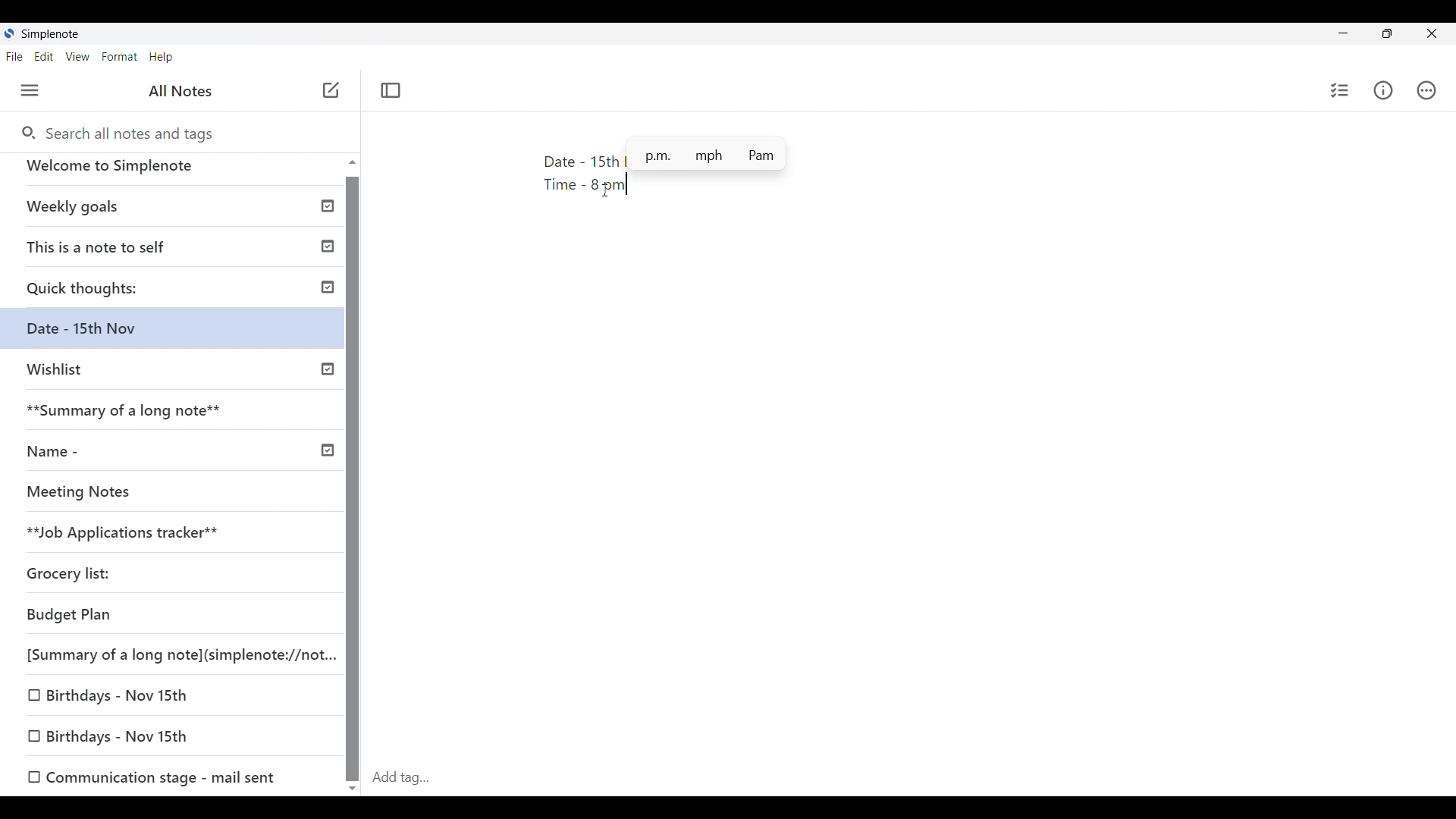  What do you see at coordinates (332, 90) in the screenshot?
I see `Add note` at bounding box center [332, 90].